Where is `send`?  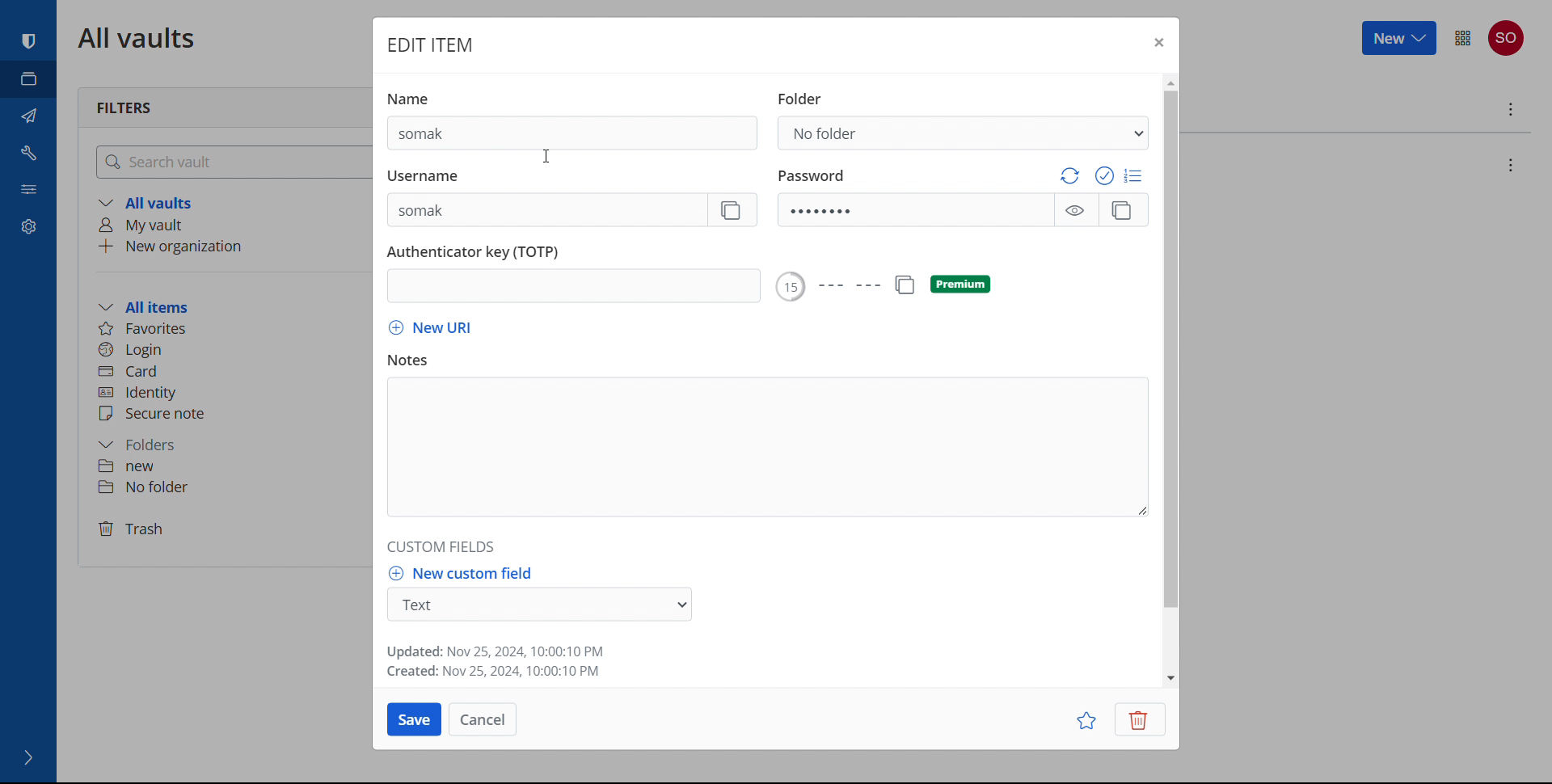 send is located at coordinates (28, 116).